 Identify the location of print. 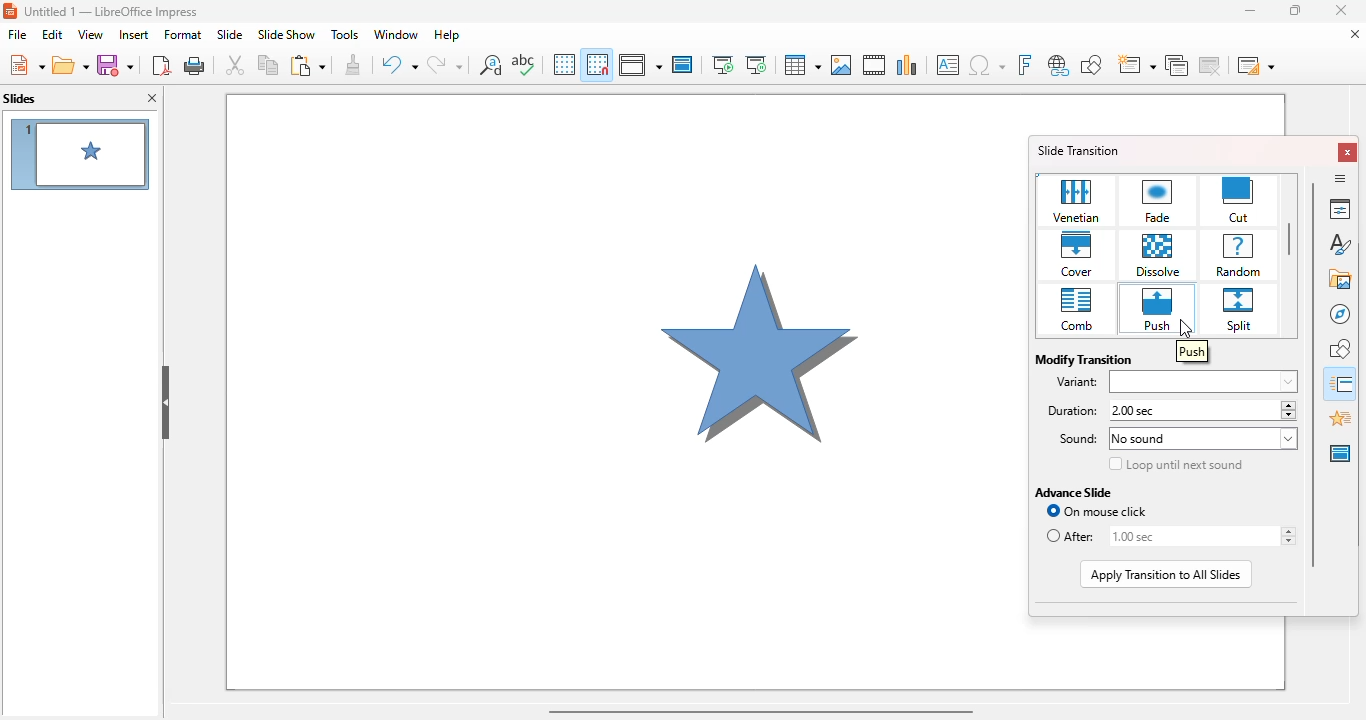
(195, 64).